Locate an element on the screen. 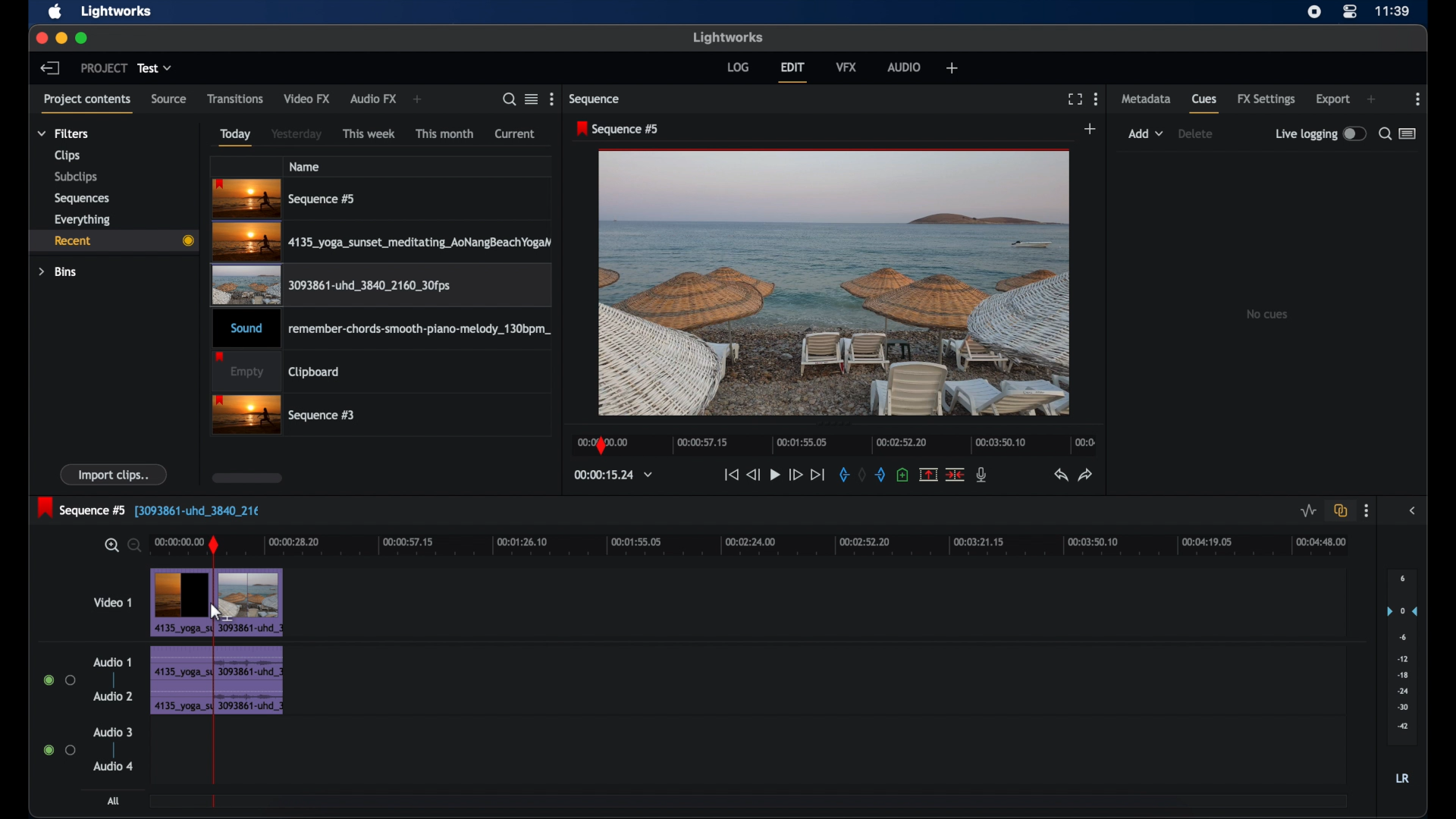 Image resolution: width=1456 pixels, height=819 pixels. export is located at coordinates (1332, 99).